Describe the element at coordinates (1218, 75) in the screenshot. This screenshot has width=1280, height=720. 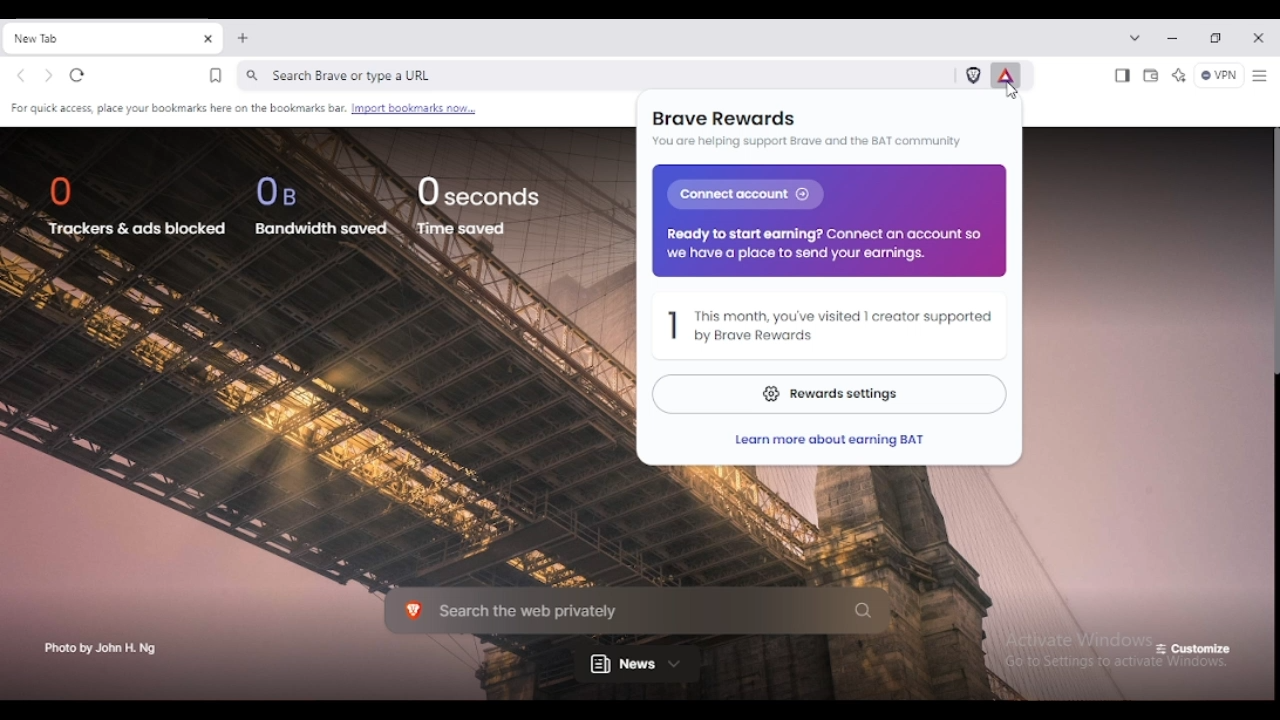
I see `brave firewall + VPN` at that location.